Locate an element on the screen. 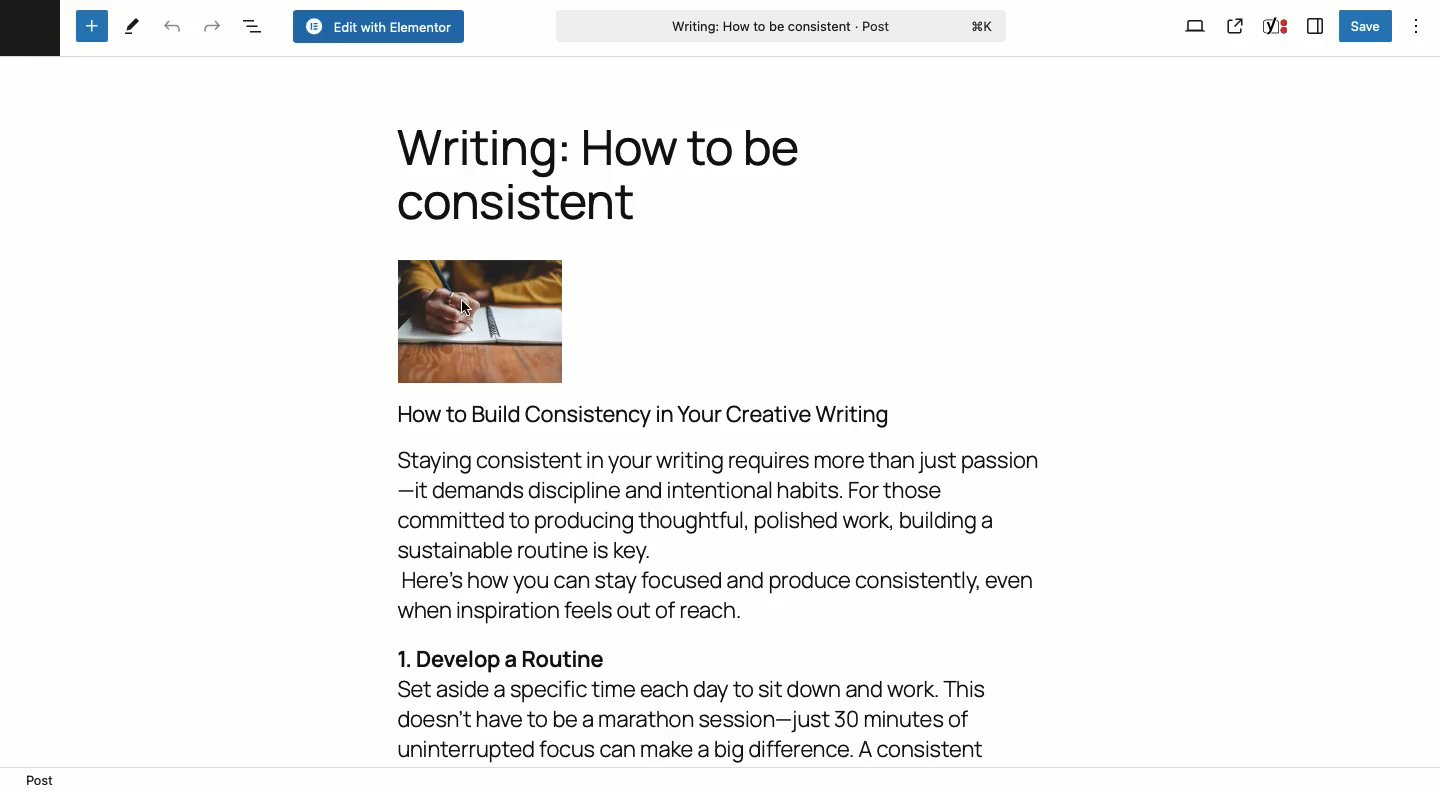 The image size is (1440, 792). Add new block is located at coordinates (91, 25).